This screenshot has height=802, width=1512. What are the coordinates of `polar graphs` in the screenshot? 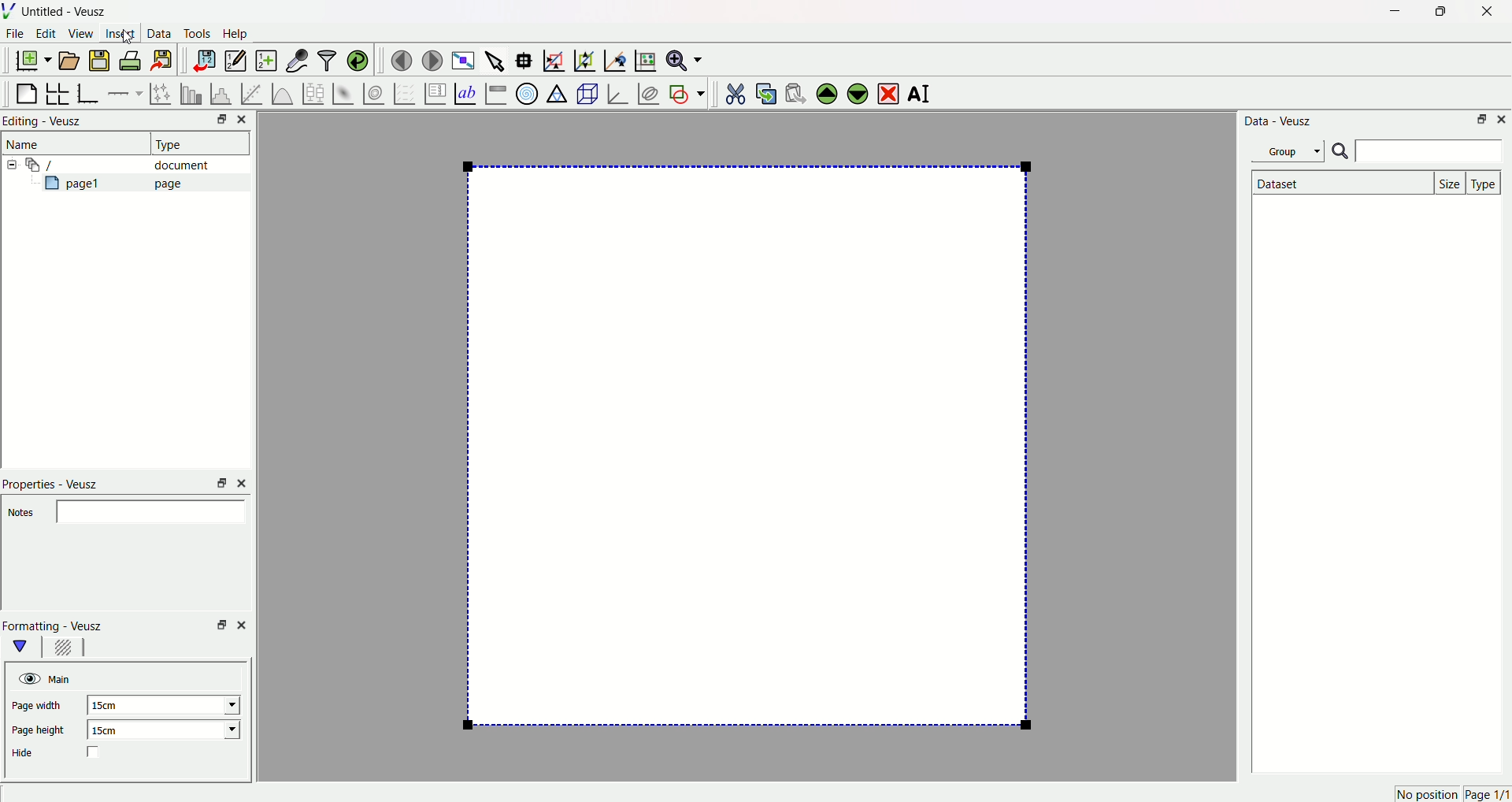 It's located at (527, 91).